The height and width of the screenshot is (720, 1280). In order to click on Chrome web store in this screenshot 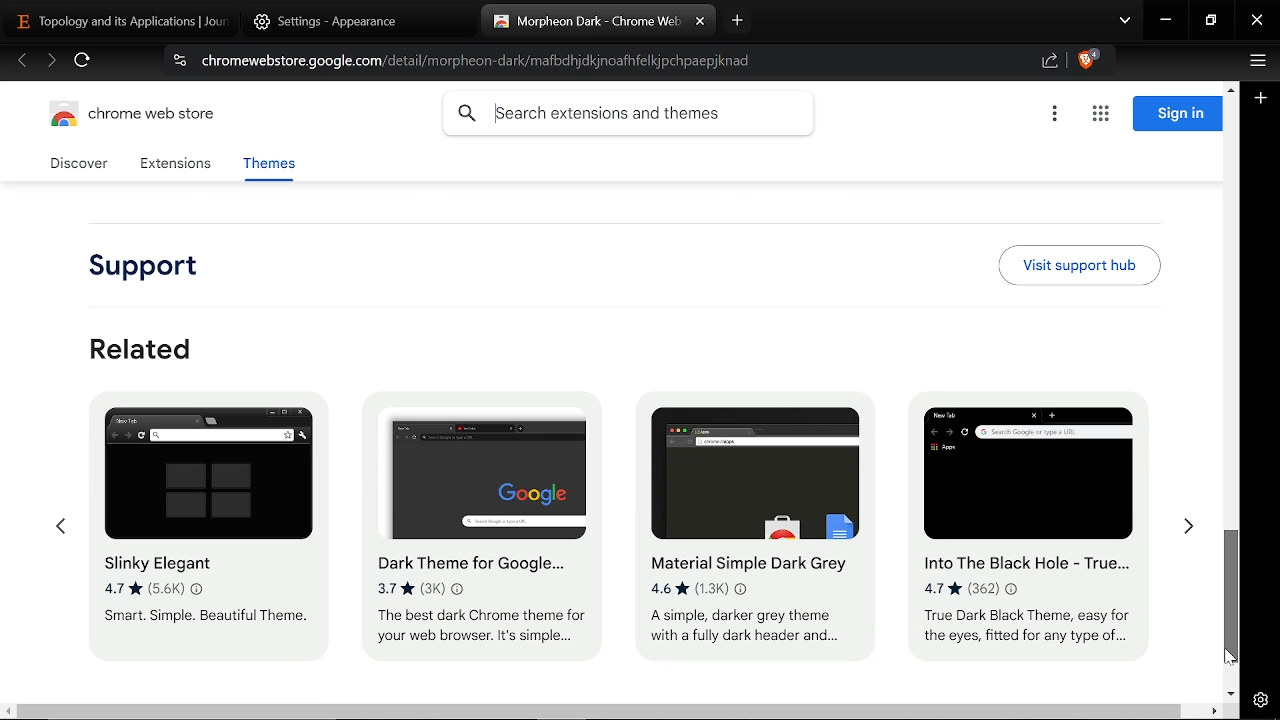, I will do `click(138, 117)`.